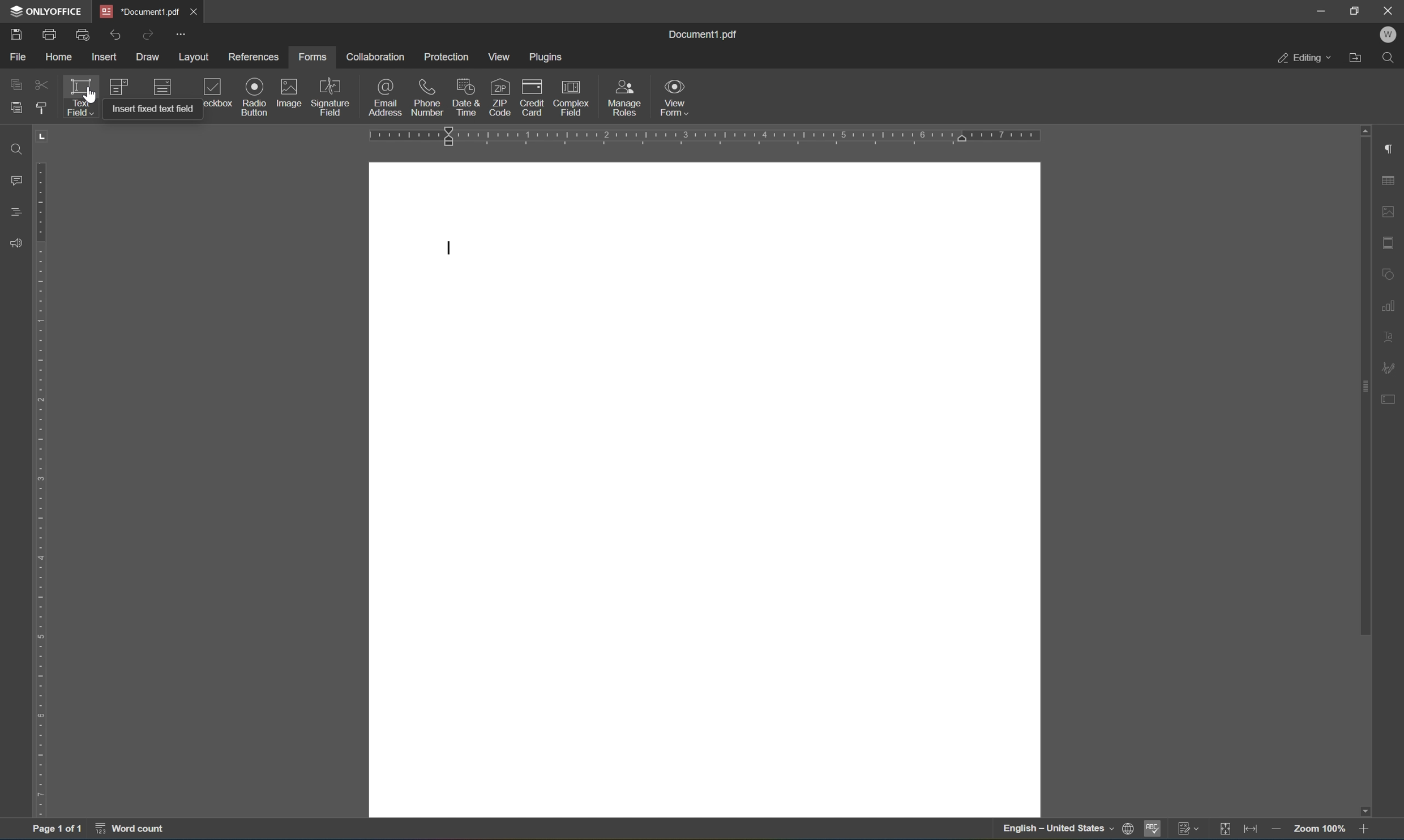 This screenshot has height=840, width=1404. What do you see at coordinates (149, 107) in the screenshot?
I see `insert fixed text field` at bounding box center [149, 107].